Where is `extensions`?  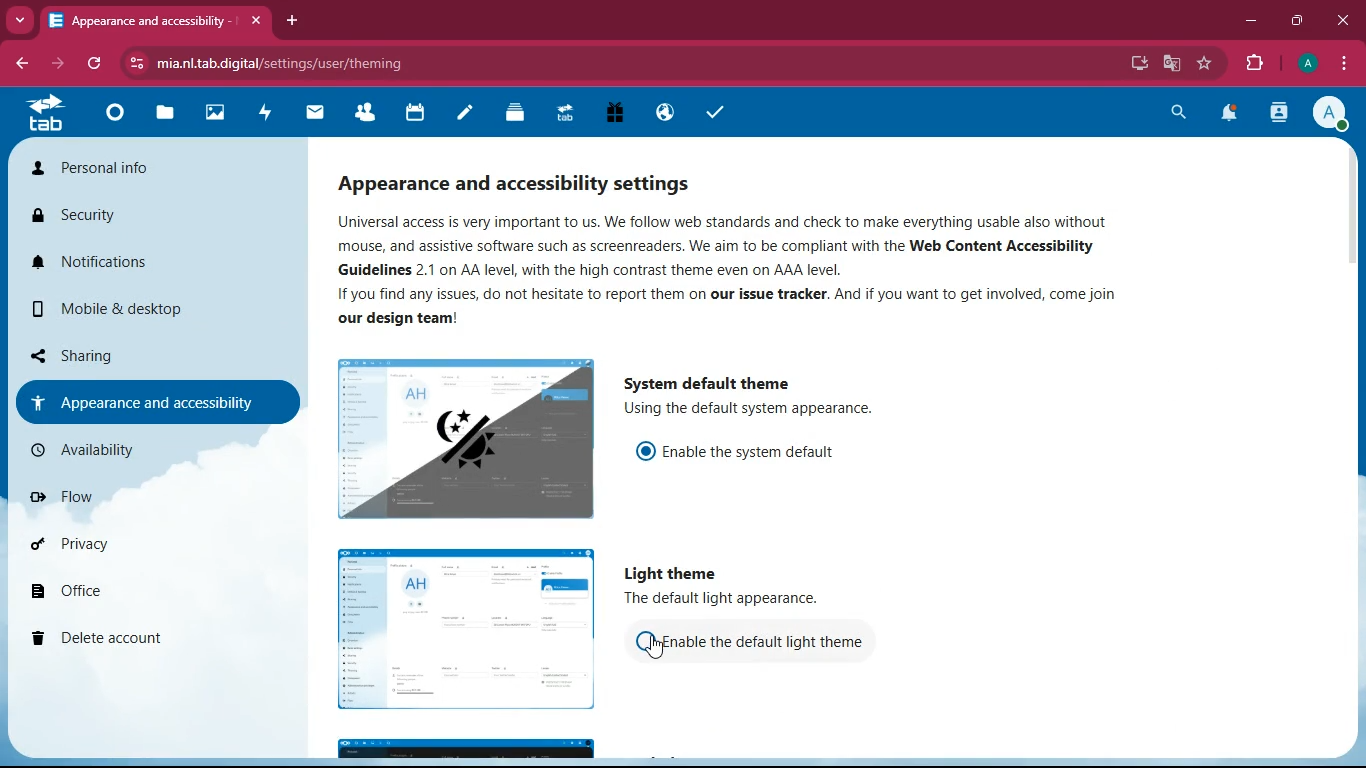
extensions is located at coordinates (1254, 64).